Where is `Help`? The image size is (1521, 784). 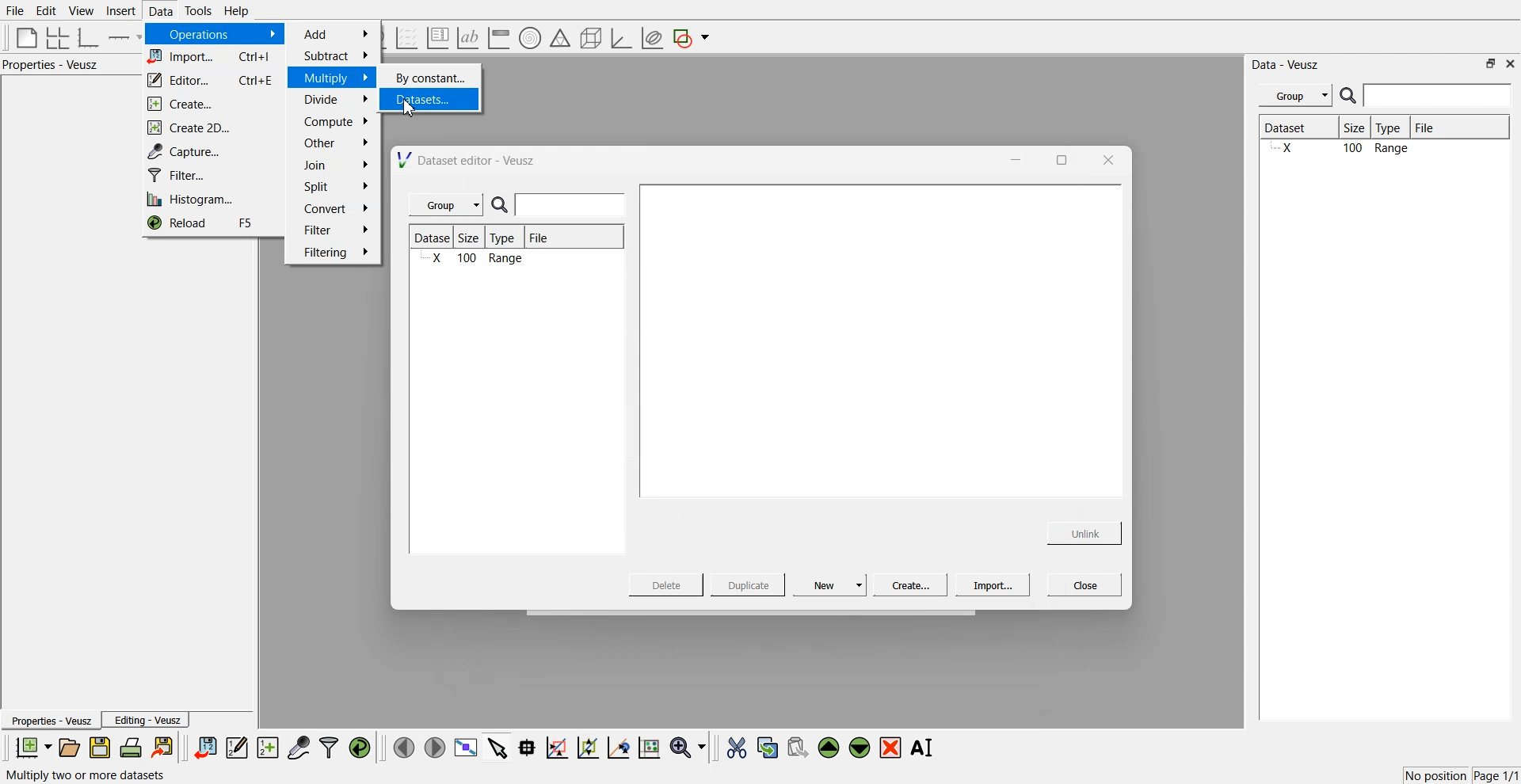 Help is located at coordinates (242, 13).